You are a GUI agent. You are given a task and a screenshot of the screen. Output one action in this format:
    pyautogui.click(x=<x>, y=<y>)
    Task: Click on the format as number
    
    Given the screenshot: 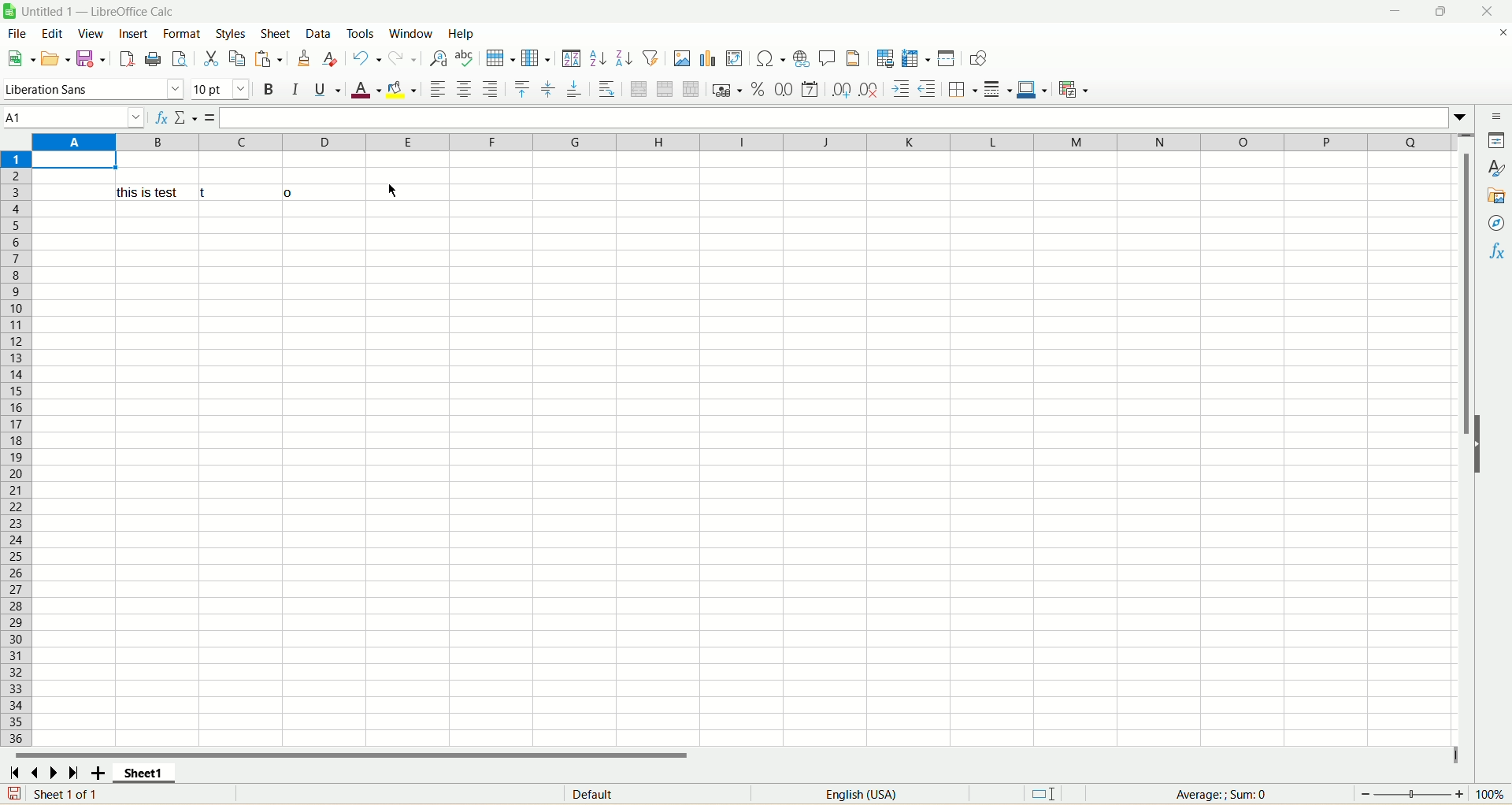 What is the action you would take?
    pyautogui.click(x=785, y=90)
    